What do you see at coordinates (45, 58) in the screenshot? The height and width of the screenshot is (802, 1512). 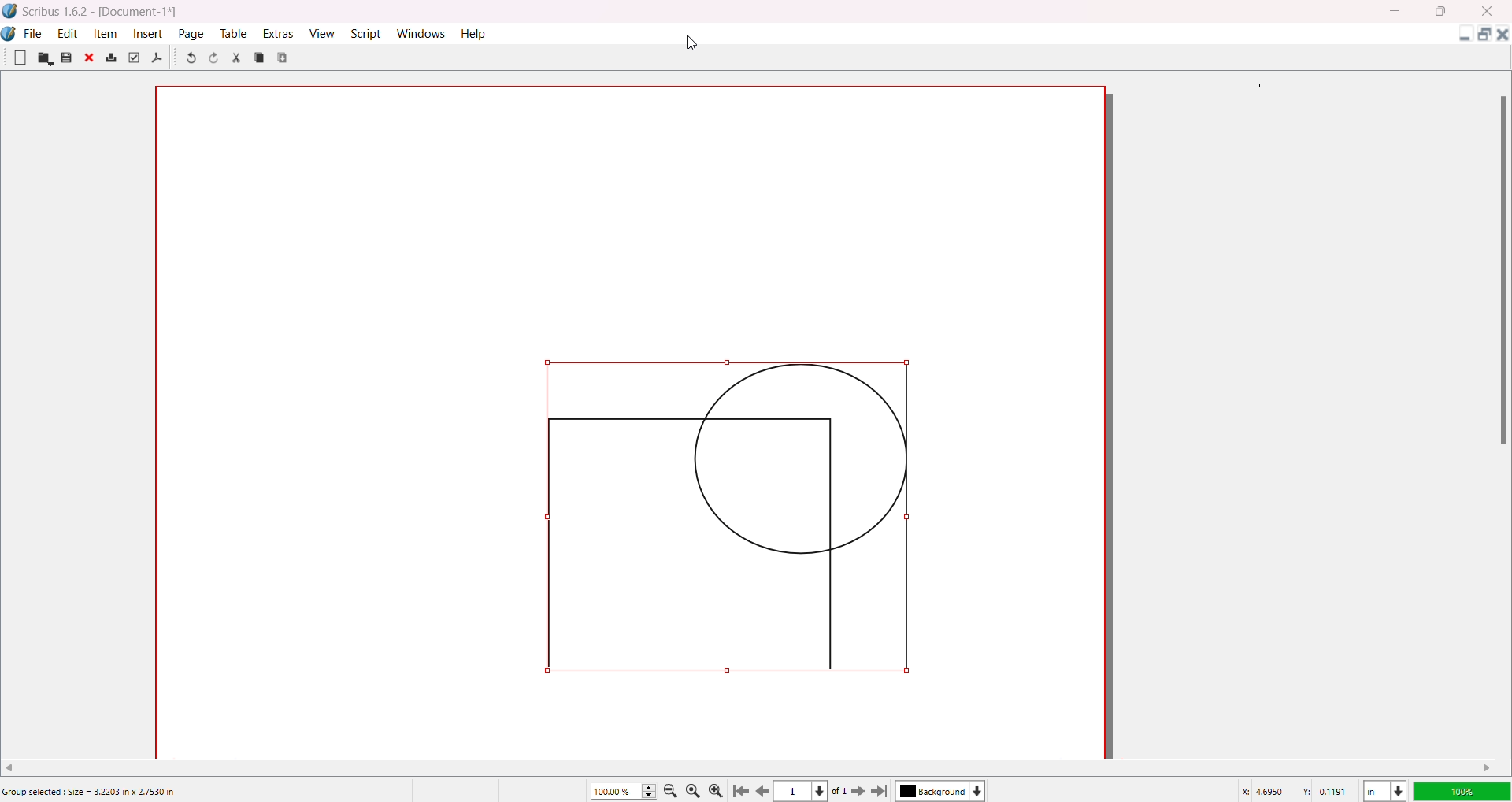 I see `Open` at bounding box center [45, 58].